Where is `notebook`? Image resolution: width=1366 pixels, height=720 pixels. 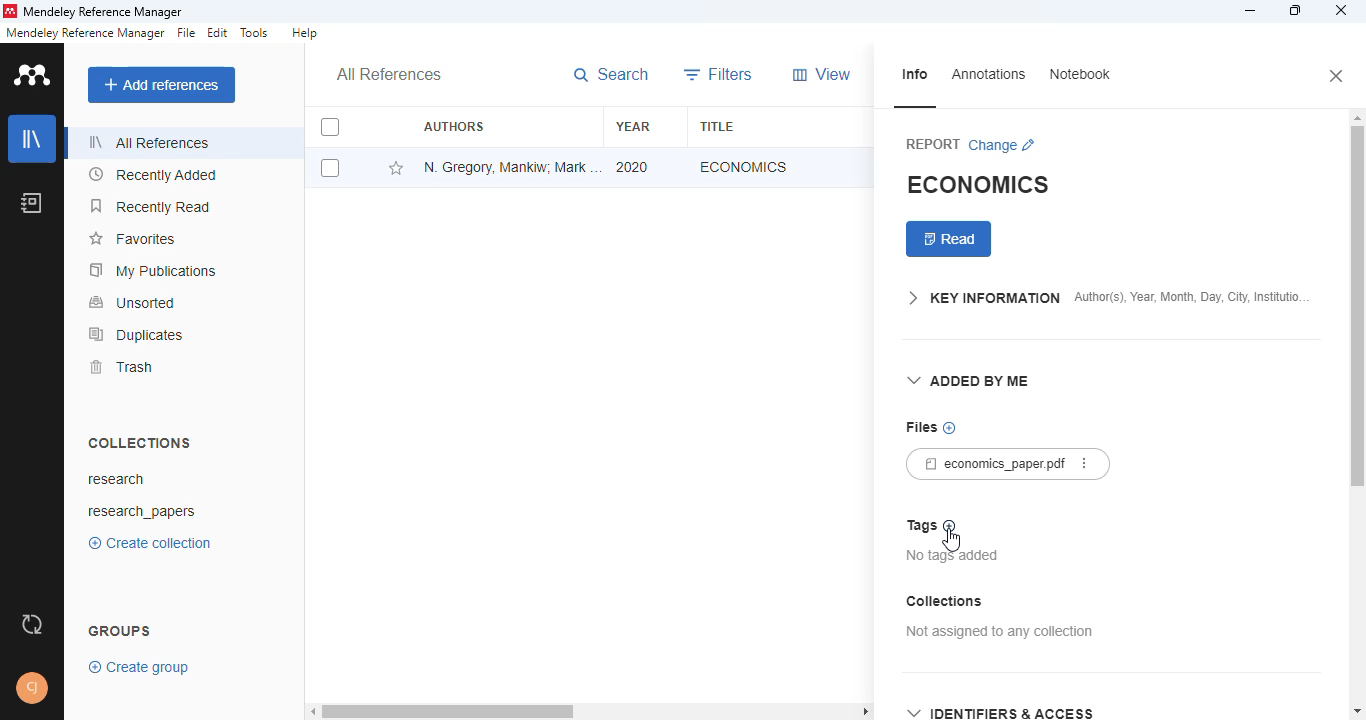
notebook is located at coordinates (32, 203).